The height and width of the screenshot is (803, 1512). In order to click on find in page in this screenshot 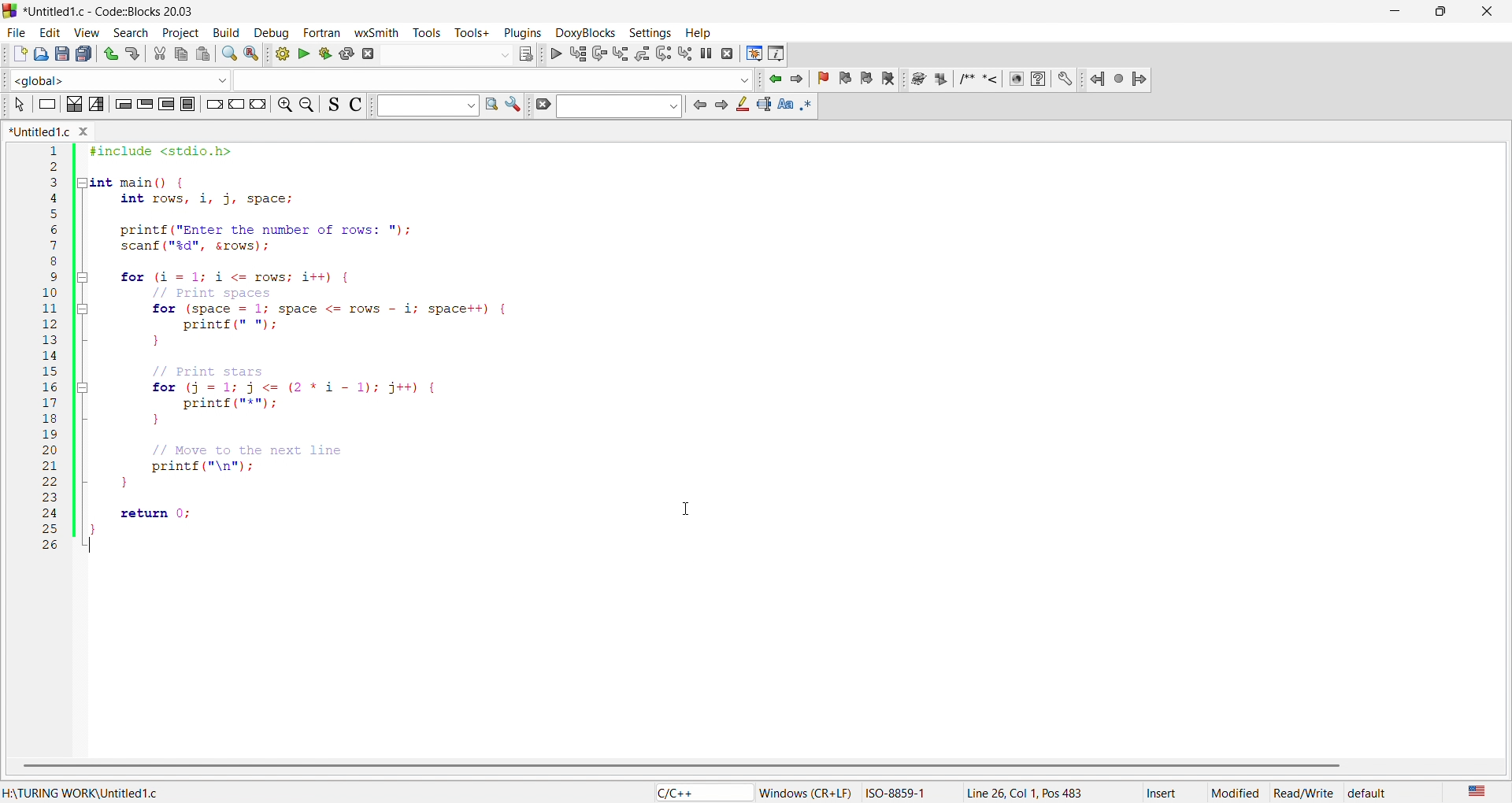, I will do `click(490, 107)`.